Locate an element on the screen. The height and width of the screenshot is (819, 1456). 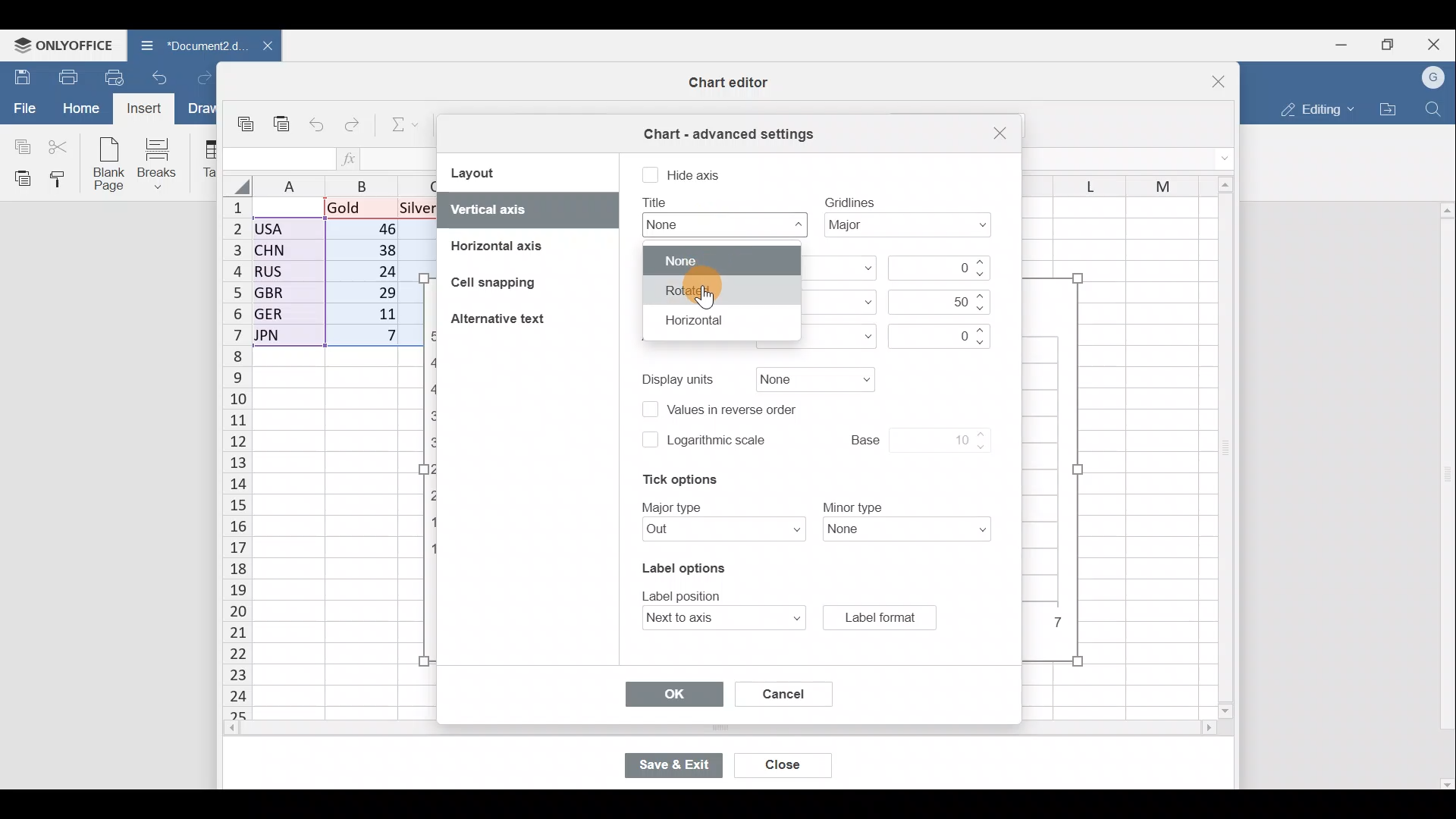
Quick print is located at coordinates (115, 77).